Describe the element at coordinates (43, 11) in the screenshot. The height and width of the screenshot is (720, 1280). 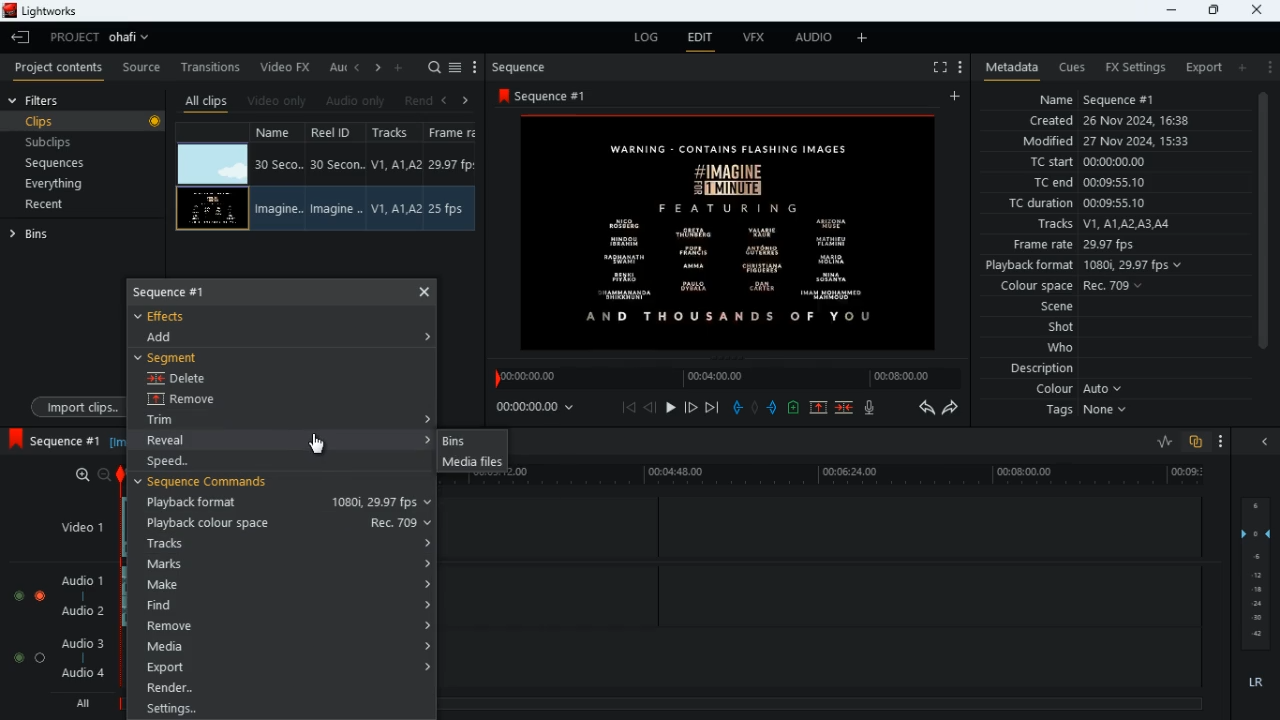
I see `lightworks` at that location.